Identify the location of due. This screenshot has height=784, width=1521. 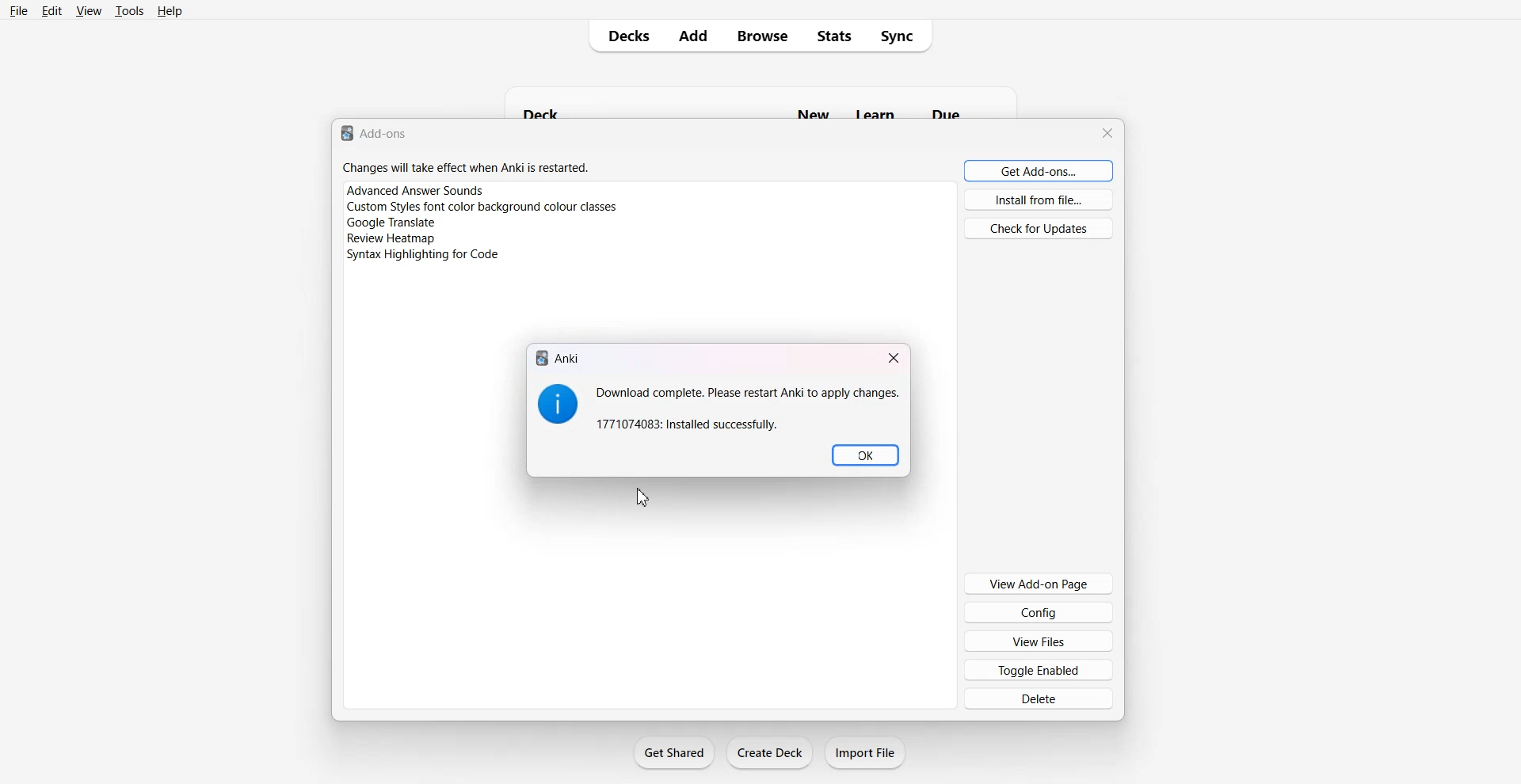
(946, 113).